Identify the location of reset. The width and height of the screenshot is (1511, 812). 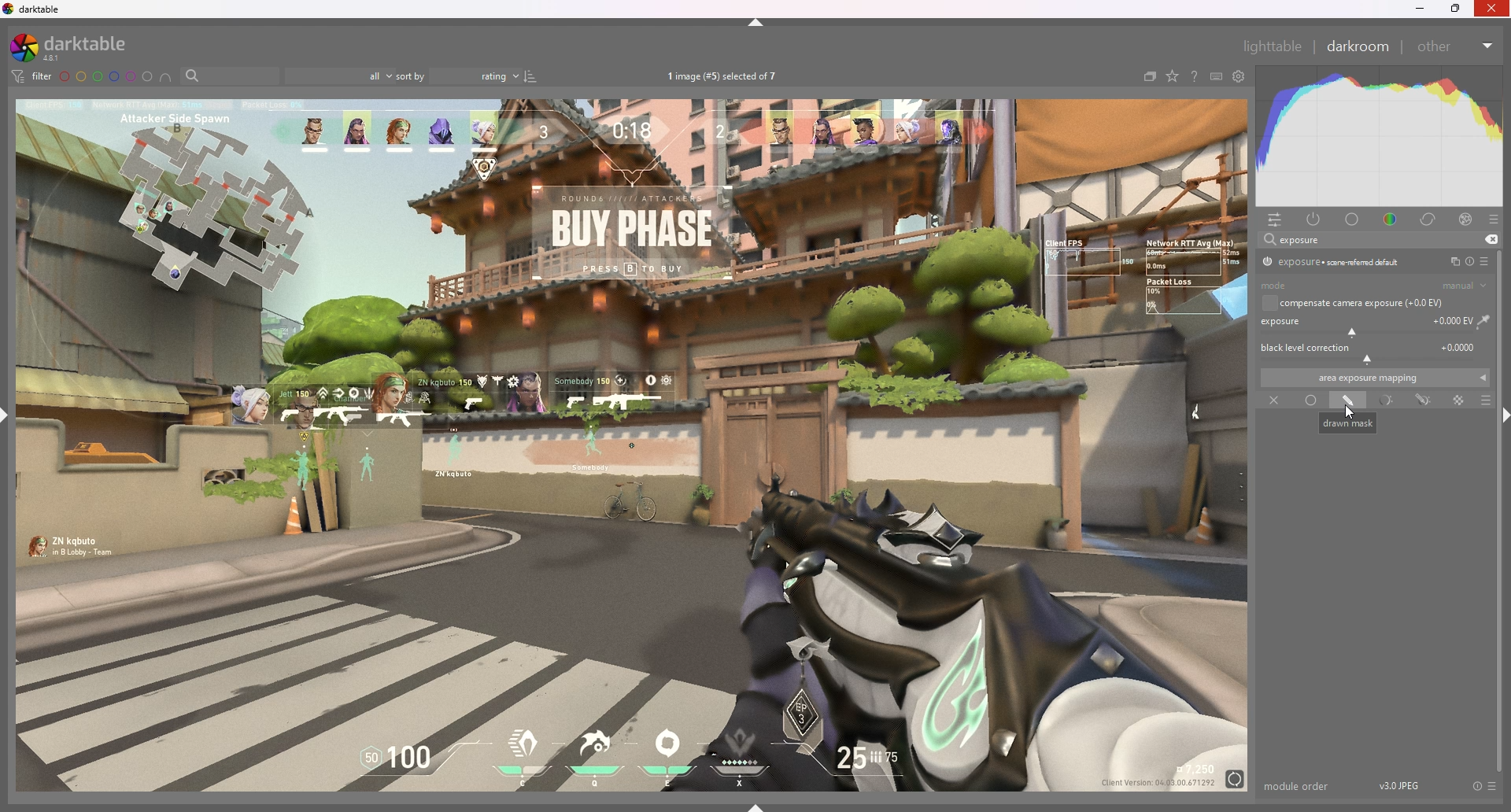
(1476, 787).